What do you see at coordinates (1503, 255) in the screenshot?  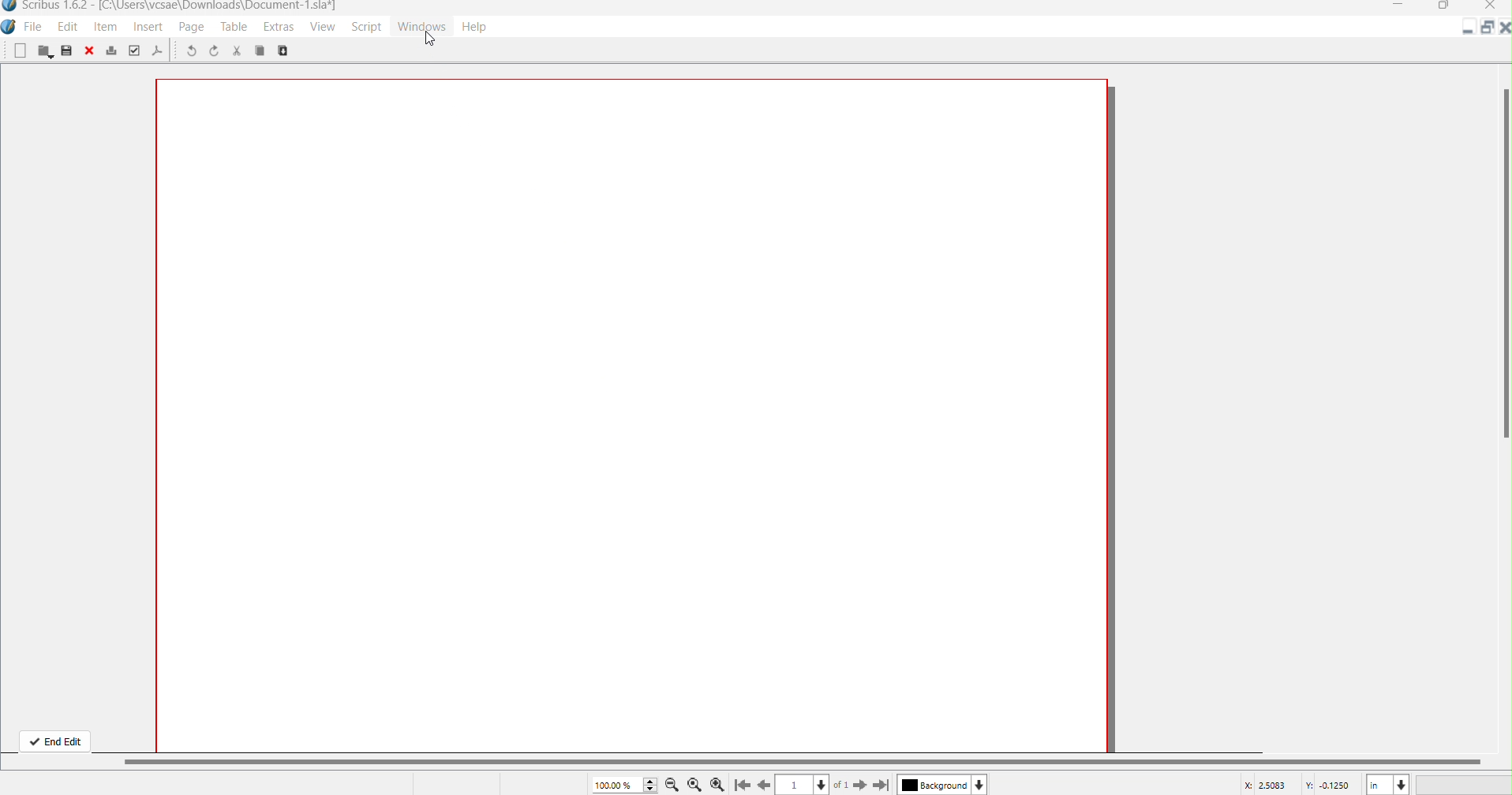 I see `vertical scroll bar` at bounding box center [1503, 255].